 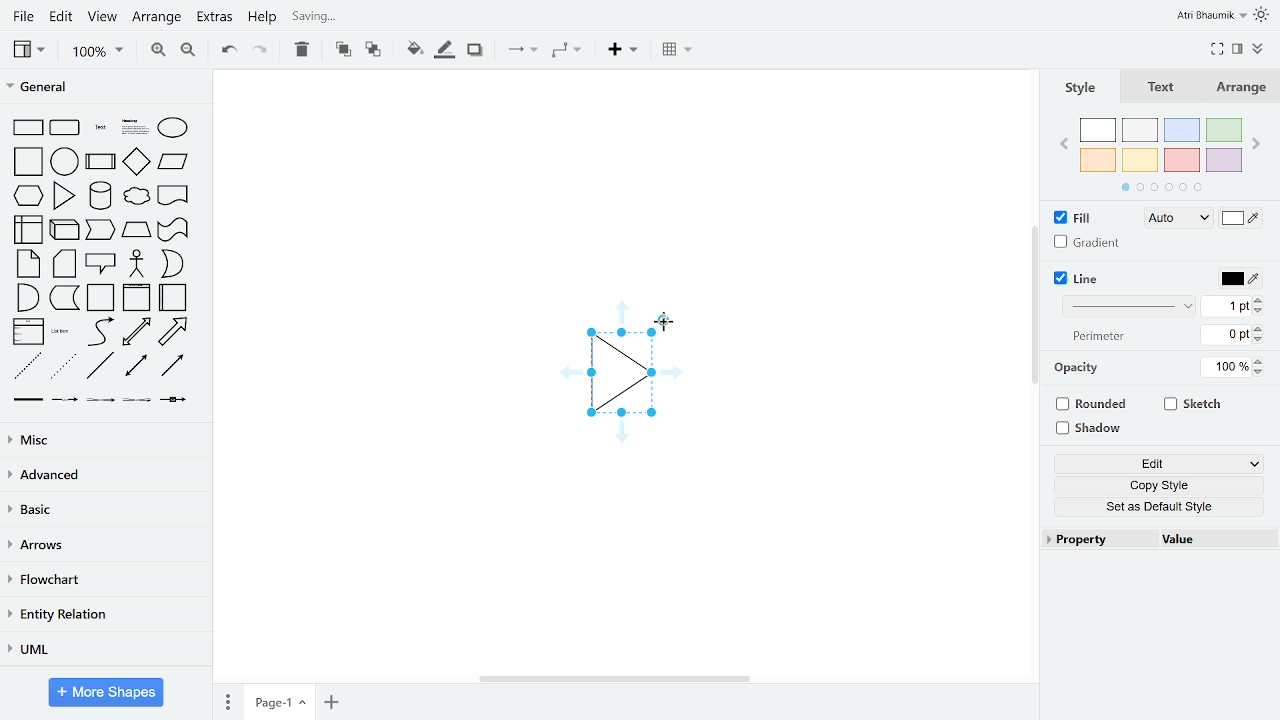 I want to click on profile Atri Bhaumik, so click(x=1210, y=16).